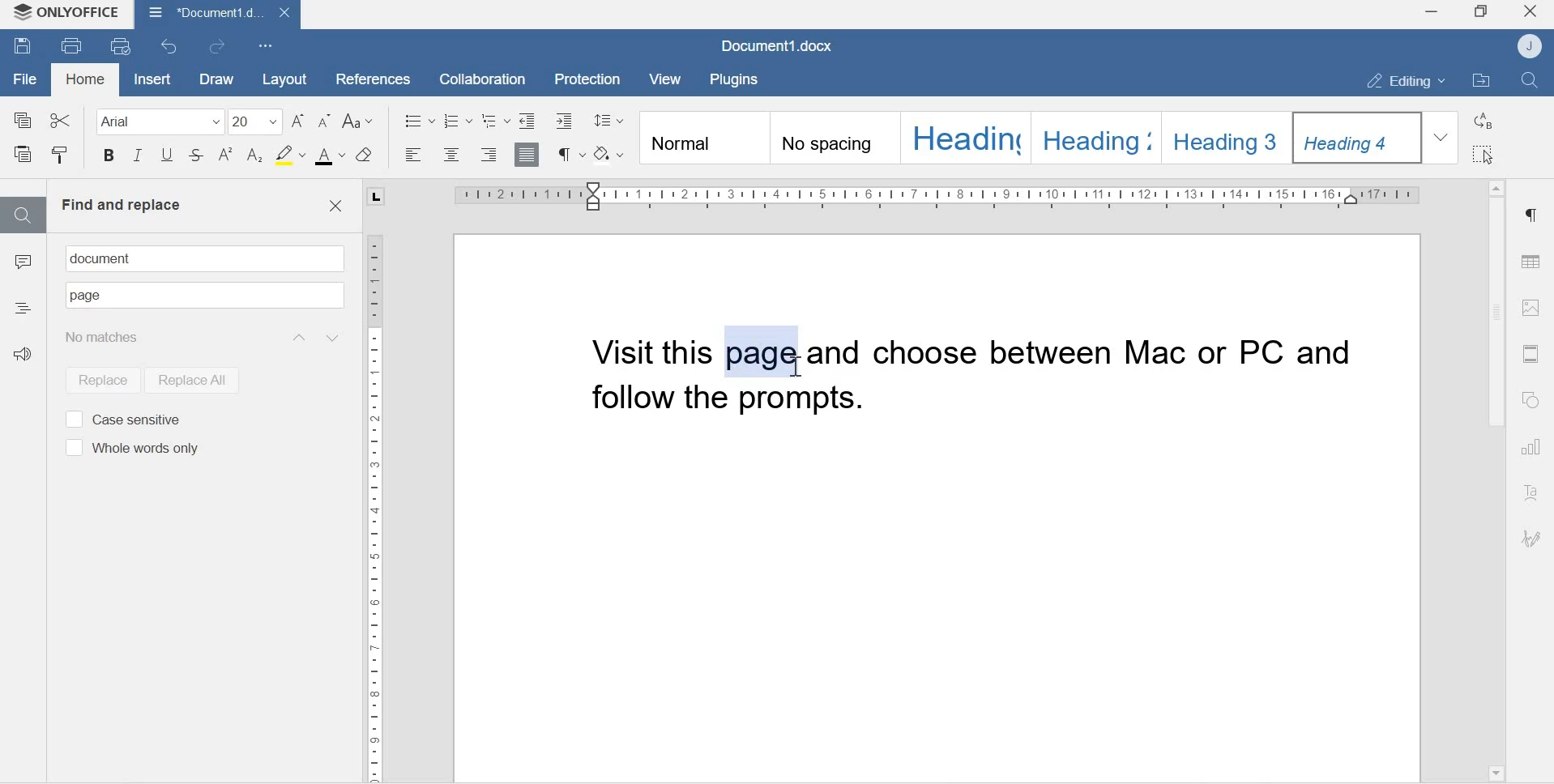 The width and height of the screenshot is (1554, 784). Describe the element at coordinates (172, 46) in the screenshot. I see `Undo` at that location.